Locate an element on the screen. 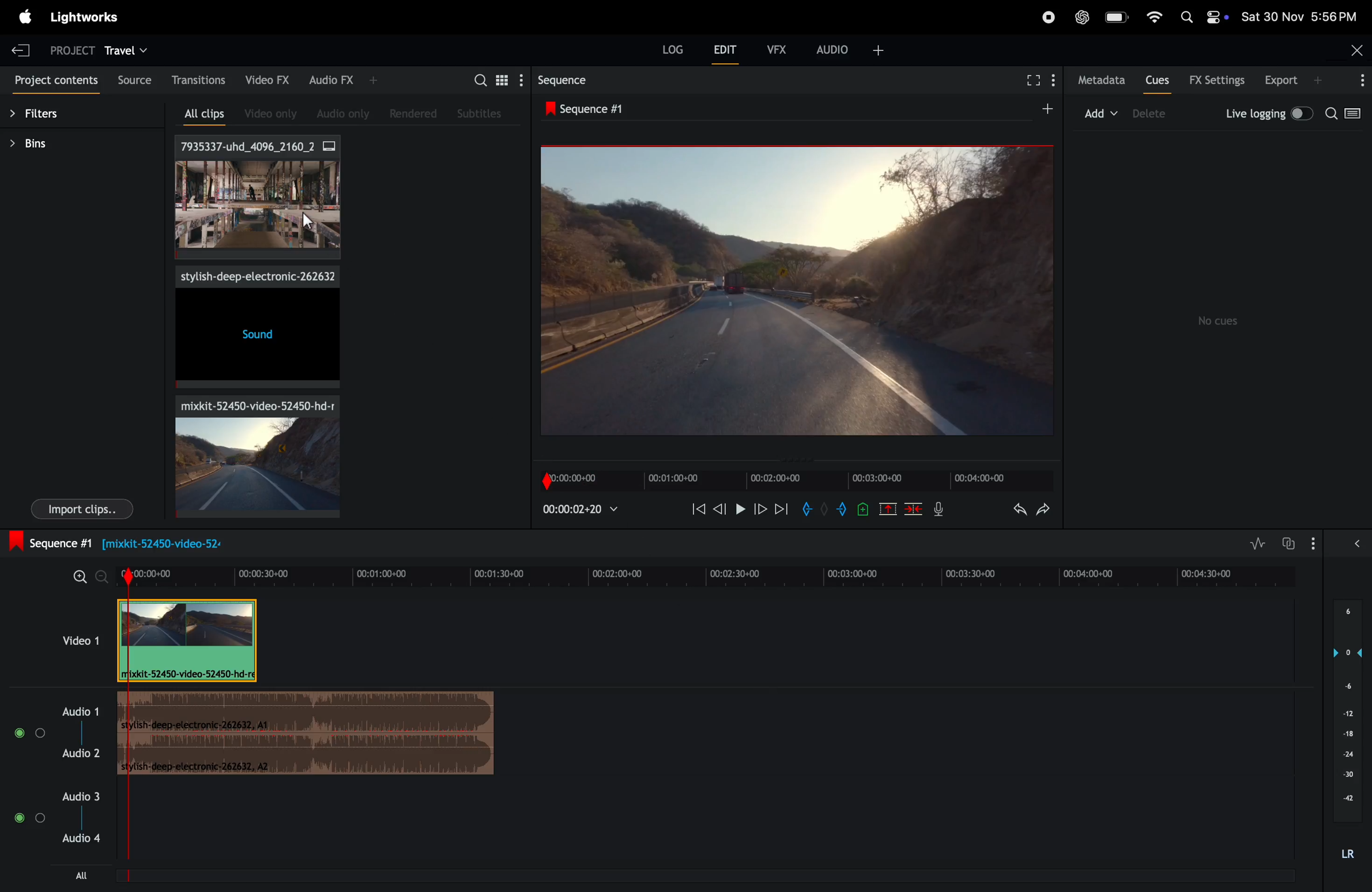  chatgpt is located at coordinates (1081, 18).